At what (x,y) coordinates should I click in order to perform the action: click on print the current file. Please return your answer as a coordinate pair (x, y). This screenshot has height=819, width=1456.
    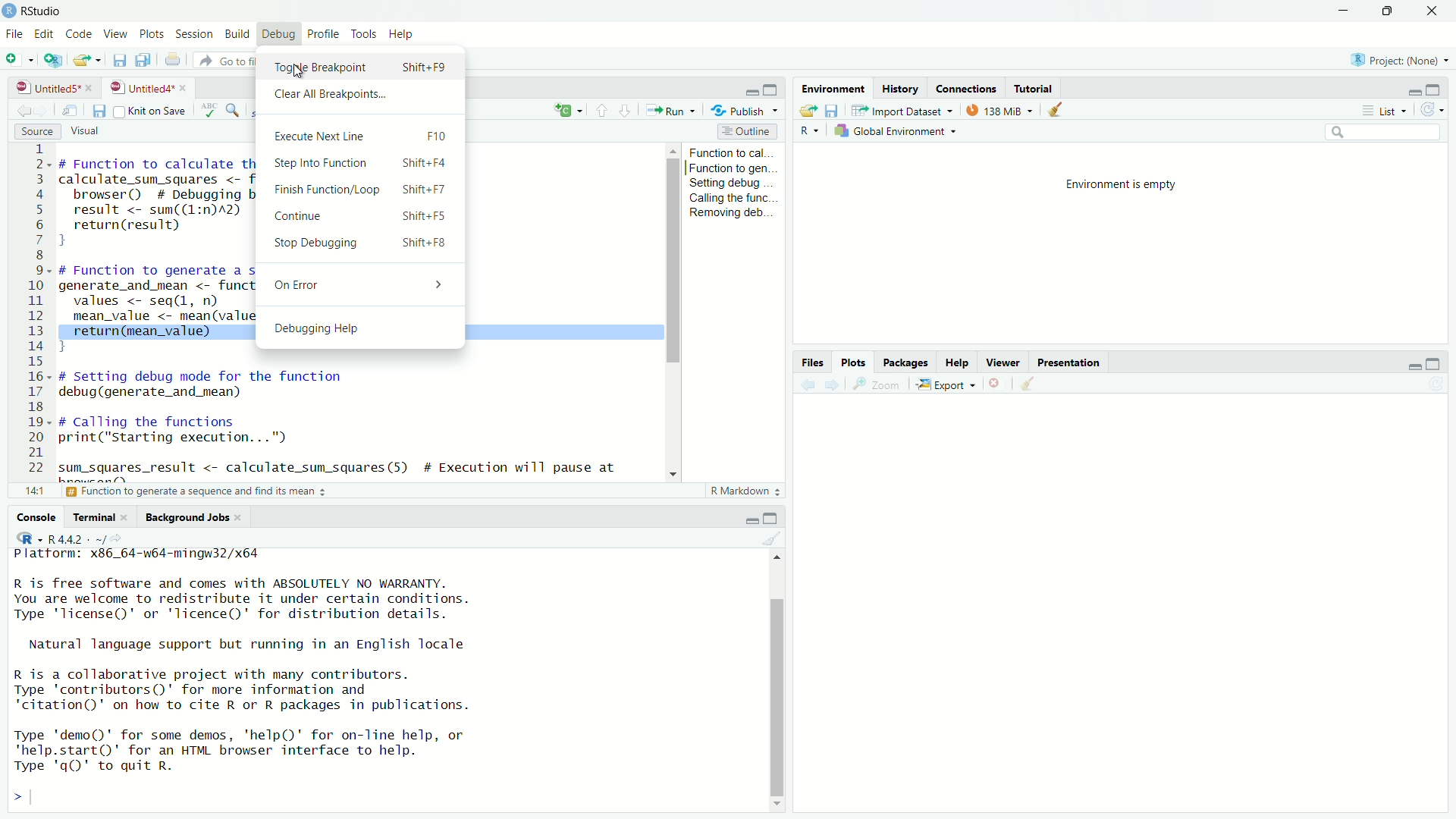
    Looking at the image, I should click on (175, 59).